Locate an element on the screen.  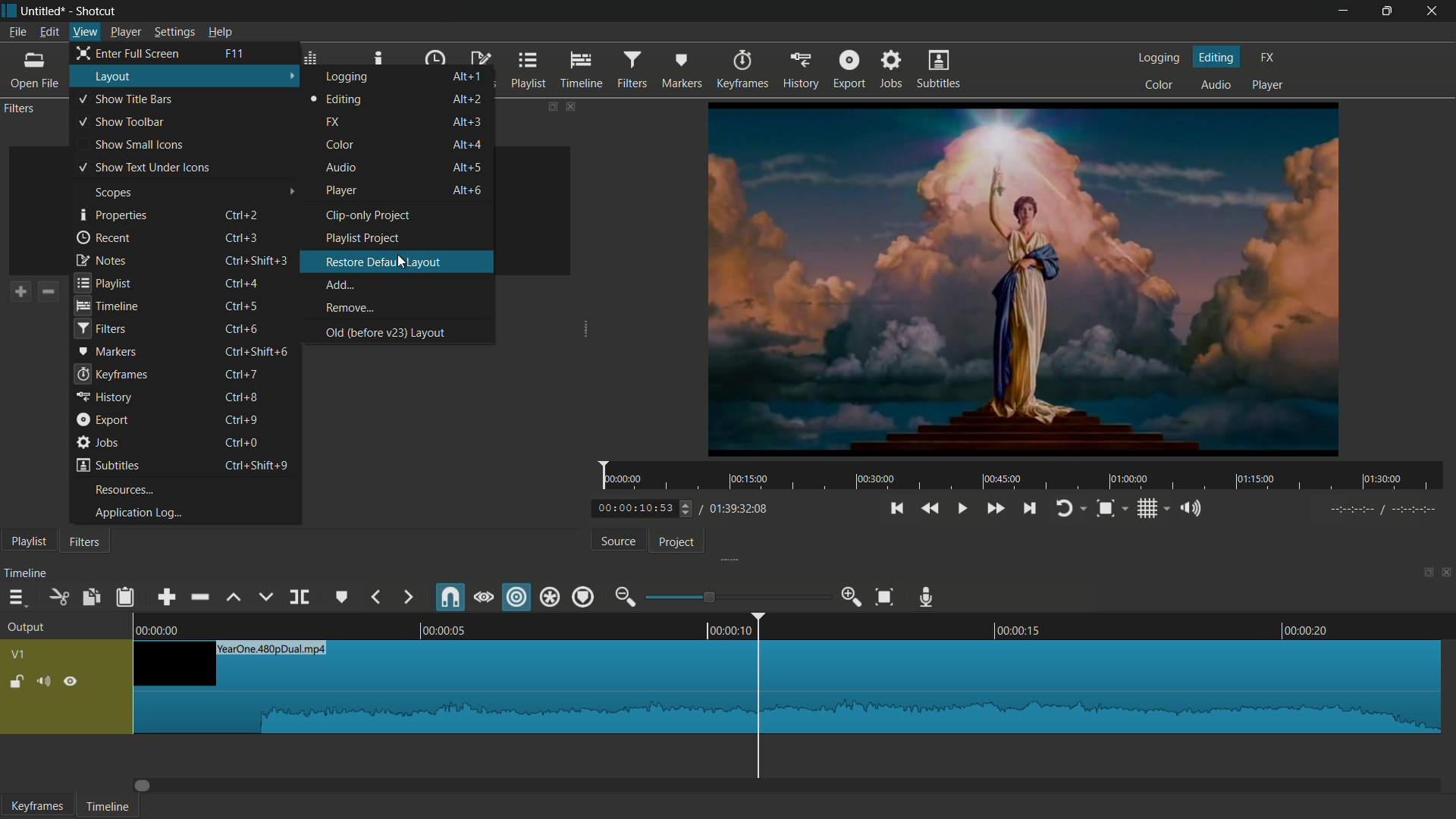
resources is located at coordinates (124, 490).